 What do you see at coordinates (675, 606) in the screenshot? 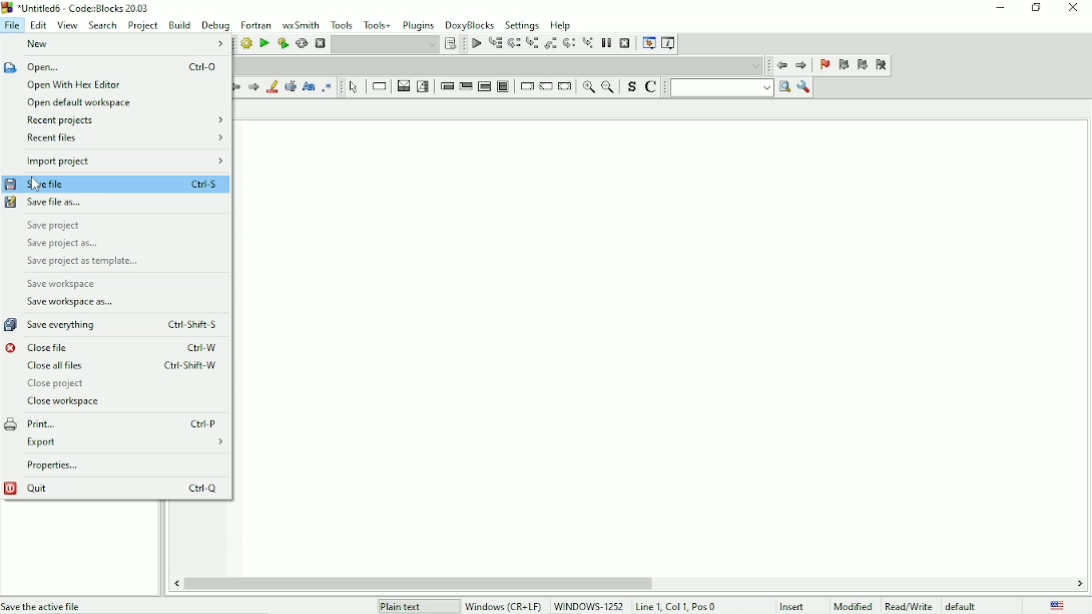
I see `Line 1, Col 1, Pos 0` at bounding box center [675, 606].